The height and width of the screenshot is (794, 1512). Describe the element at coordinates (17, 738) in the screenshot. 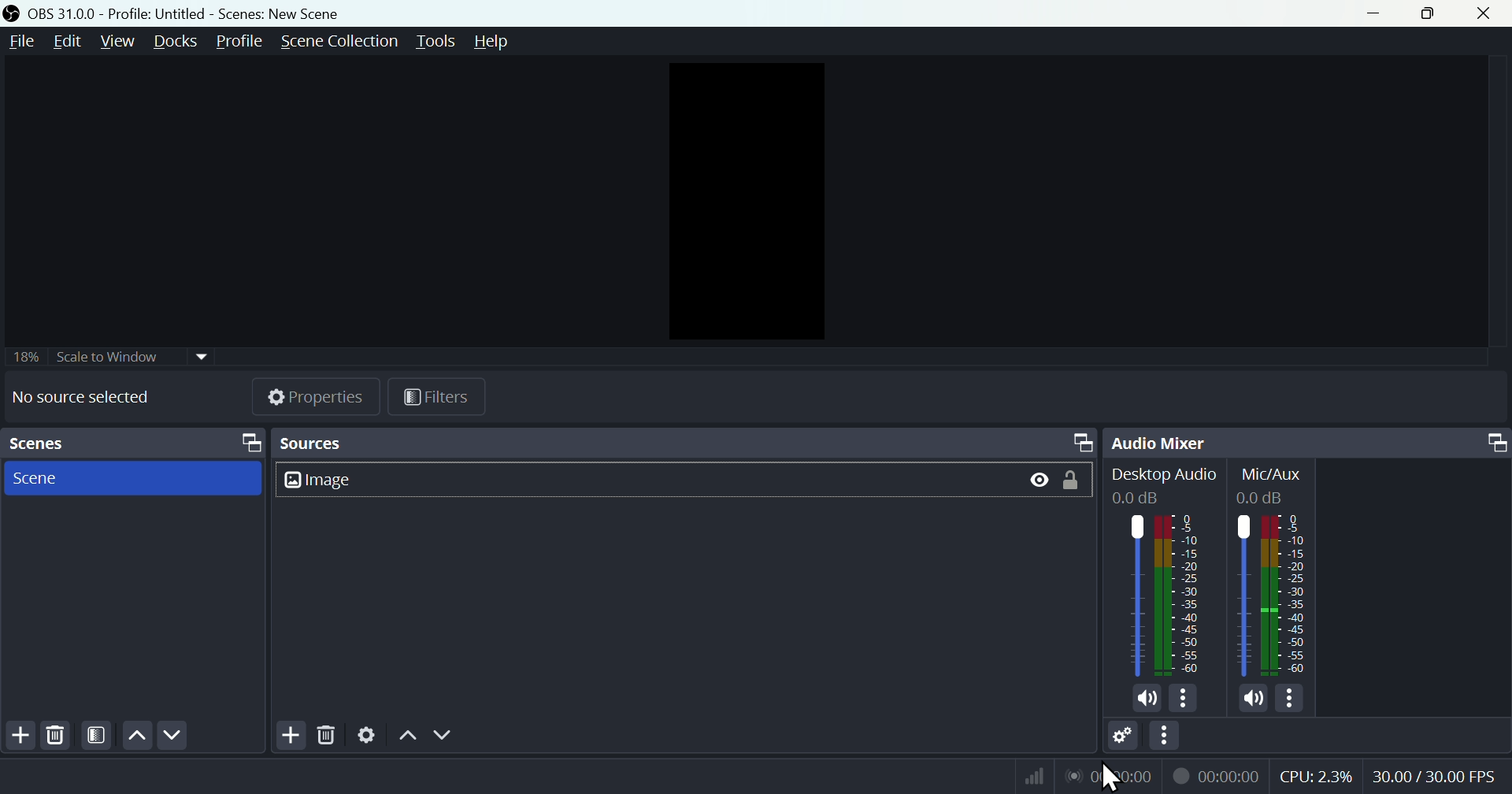

I see `Add` at that location.